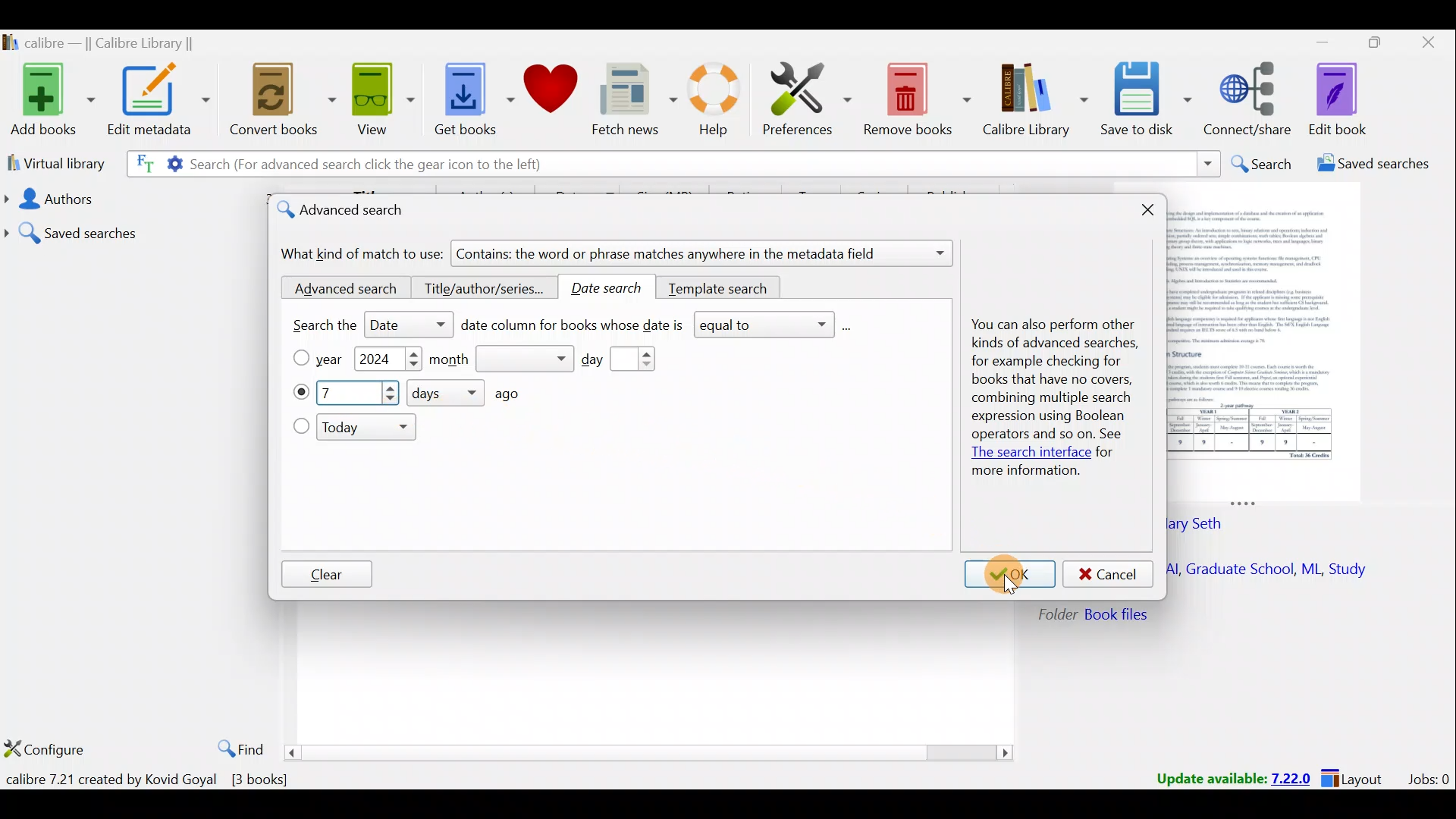  Describe the element at coordinates (1426, 45) in the screenshot. I see `Close` at that location.